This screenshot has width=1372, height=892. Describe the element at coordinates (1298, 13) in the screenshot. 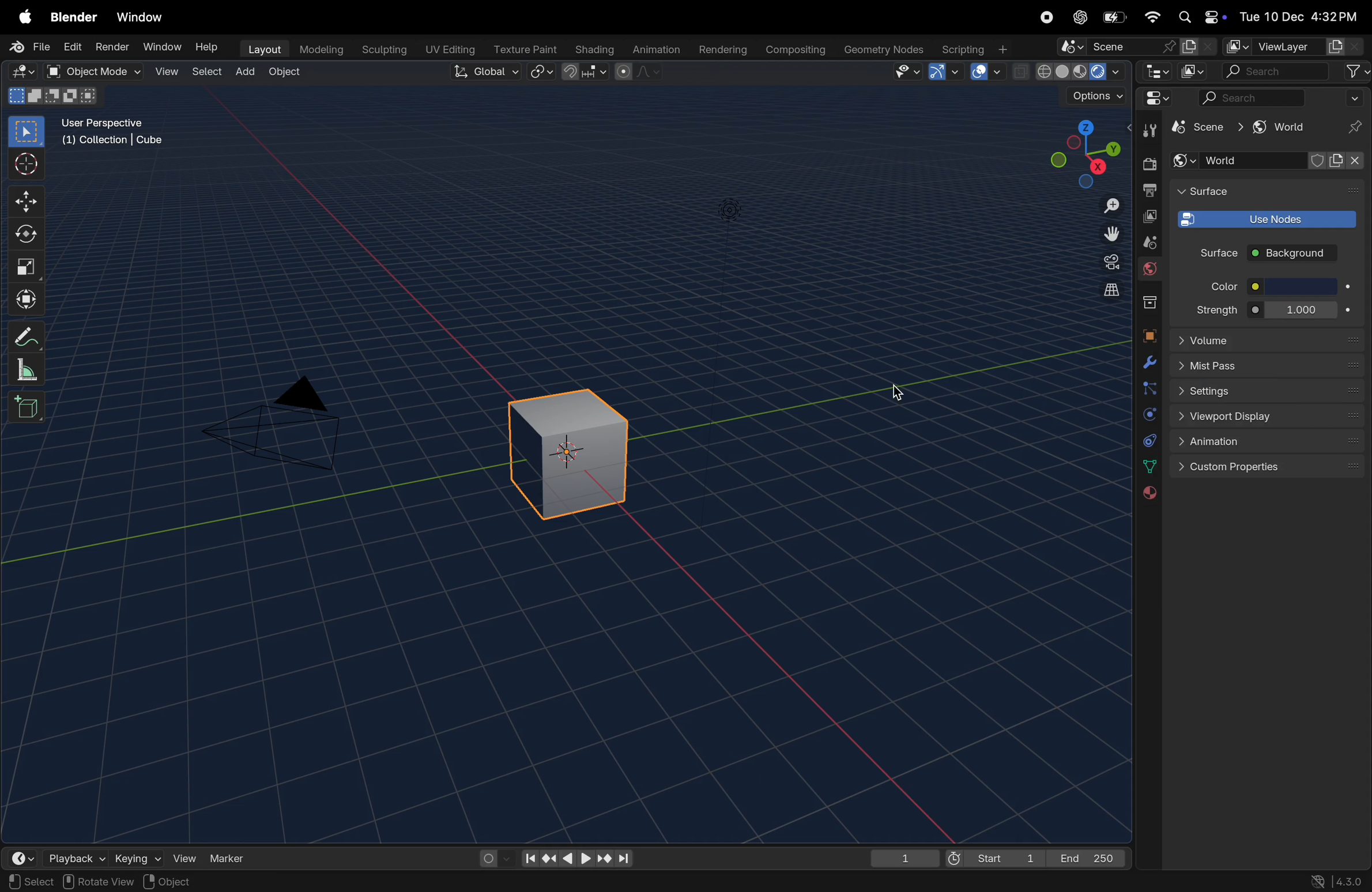

I see `date and time` at that location.